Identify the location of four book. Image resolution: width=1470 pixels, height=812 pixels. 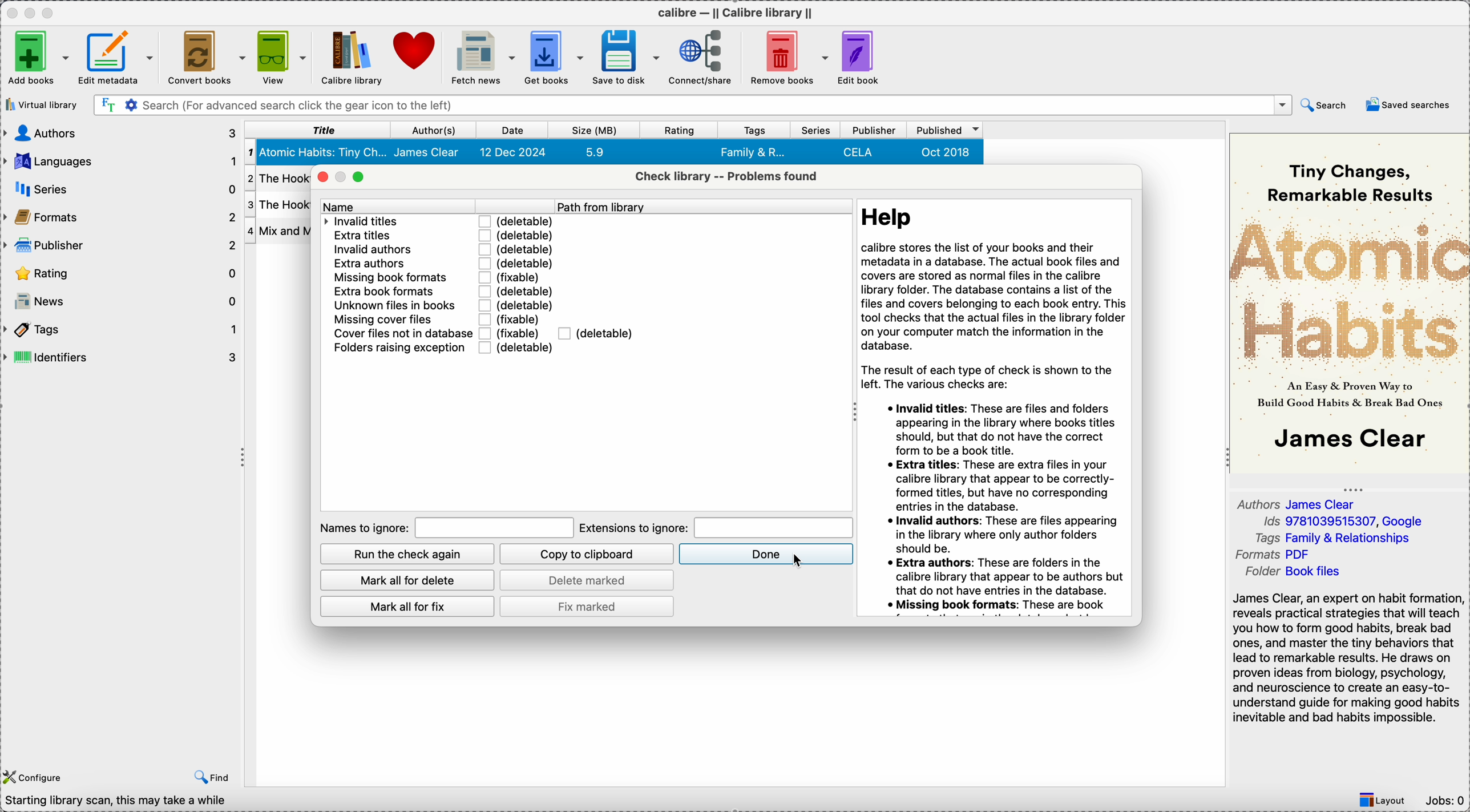
(276, 232).